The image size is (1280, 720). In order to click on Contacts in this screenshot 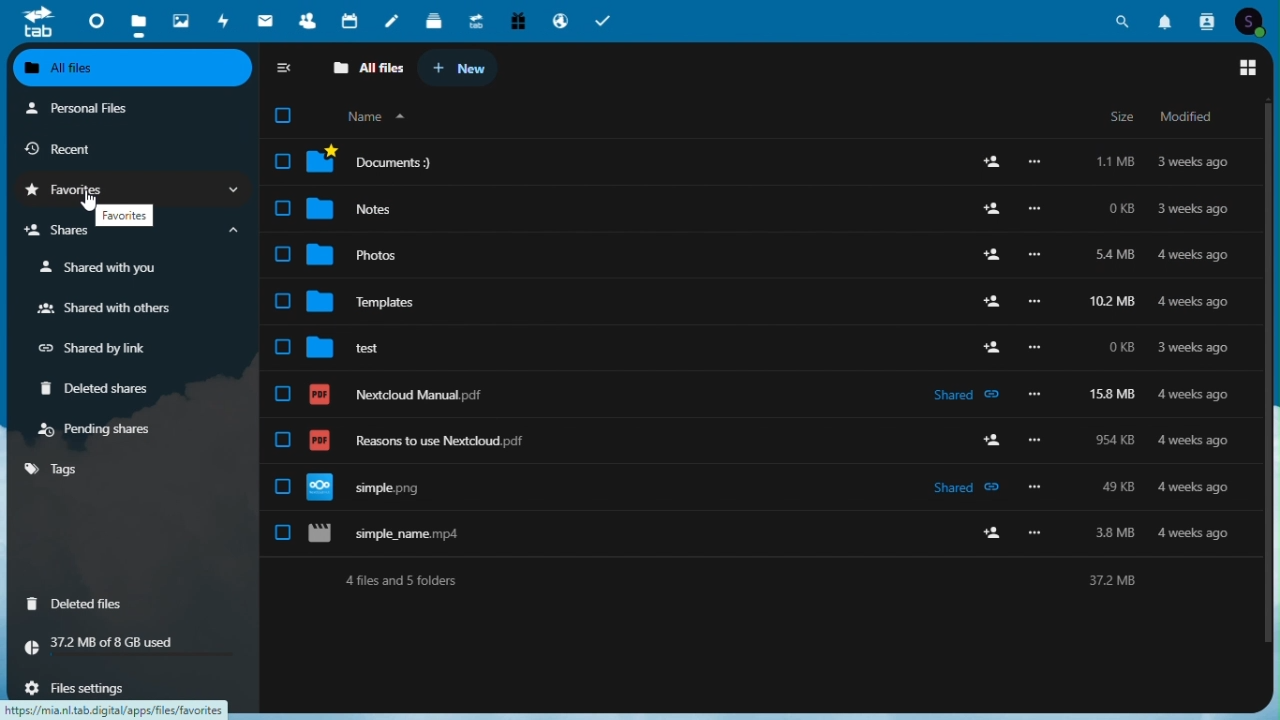, I will do `click(308, 18)`.